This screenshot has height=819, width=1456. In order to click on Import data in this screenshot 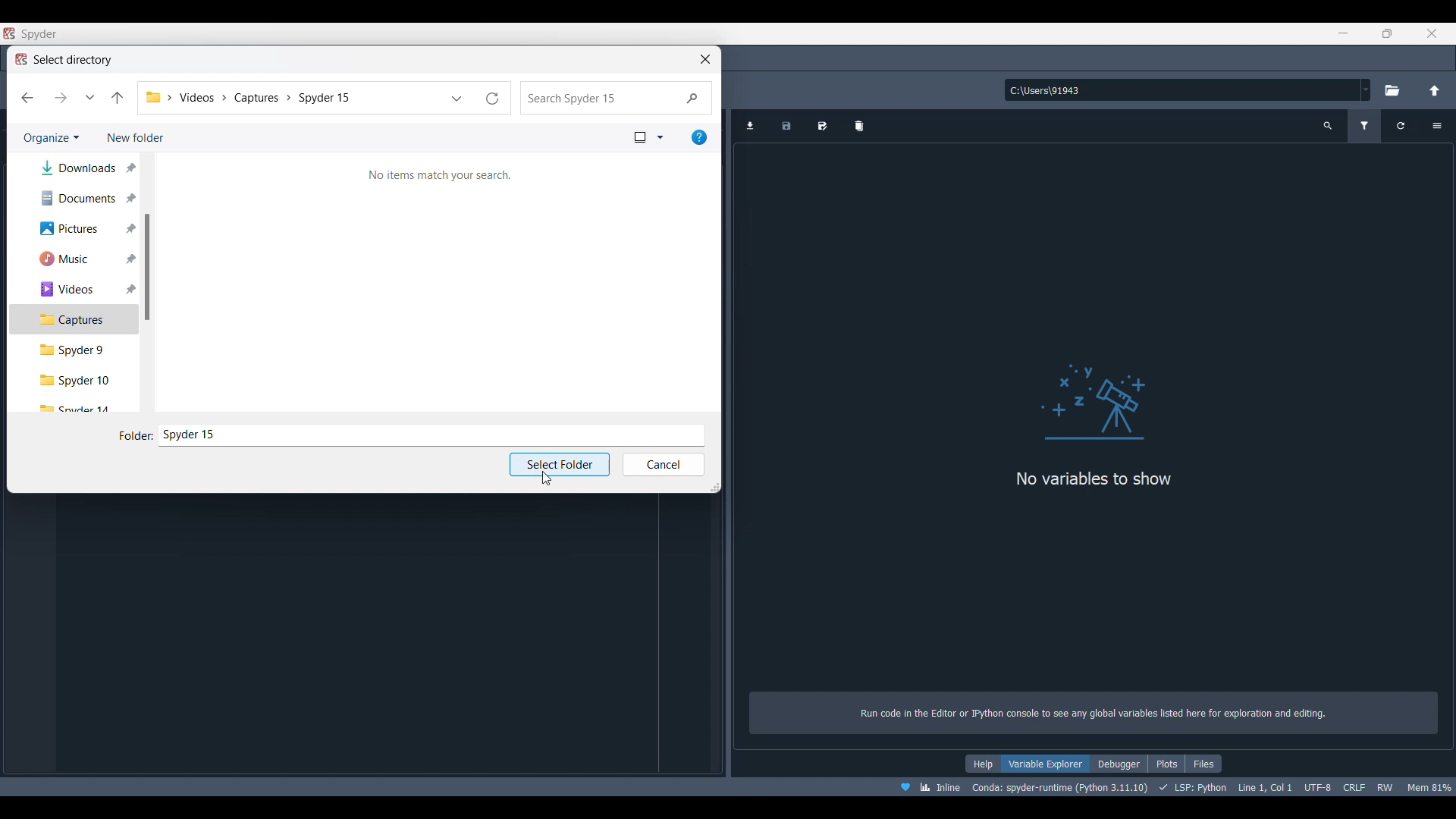, I will do `click(750, 126)`.